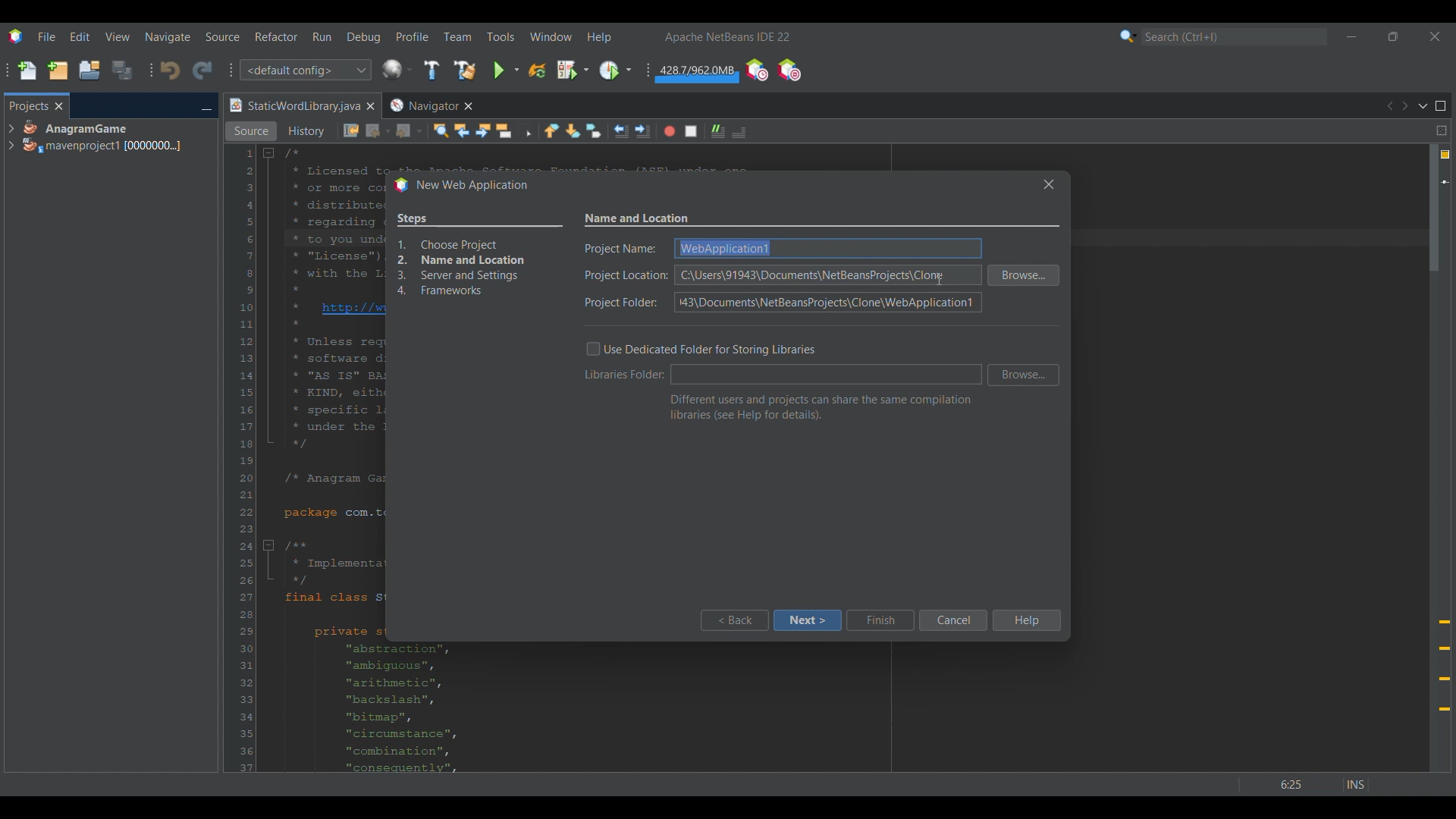  What do you see at coordinates (504, 130) in the screenshot?
I see `Toggle highlight search` at bounding box center [504, 130].